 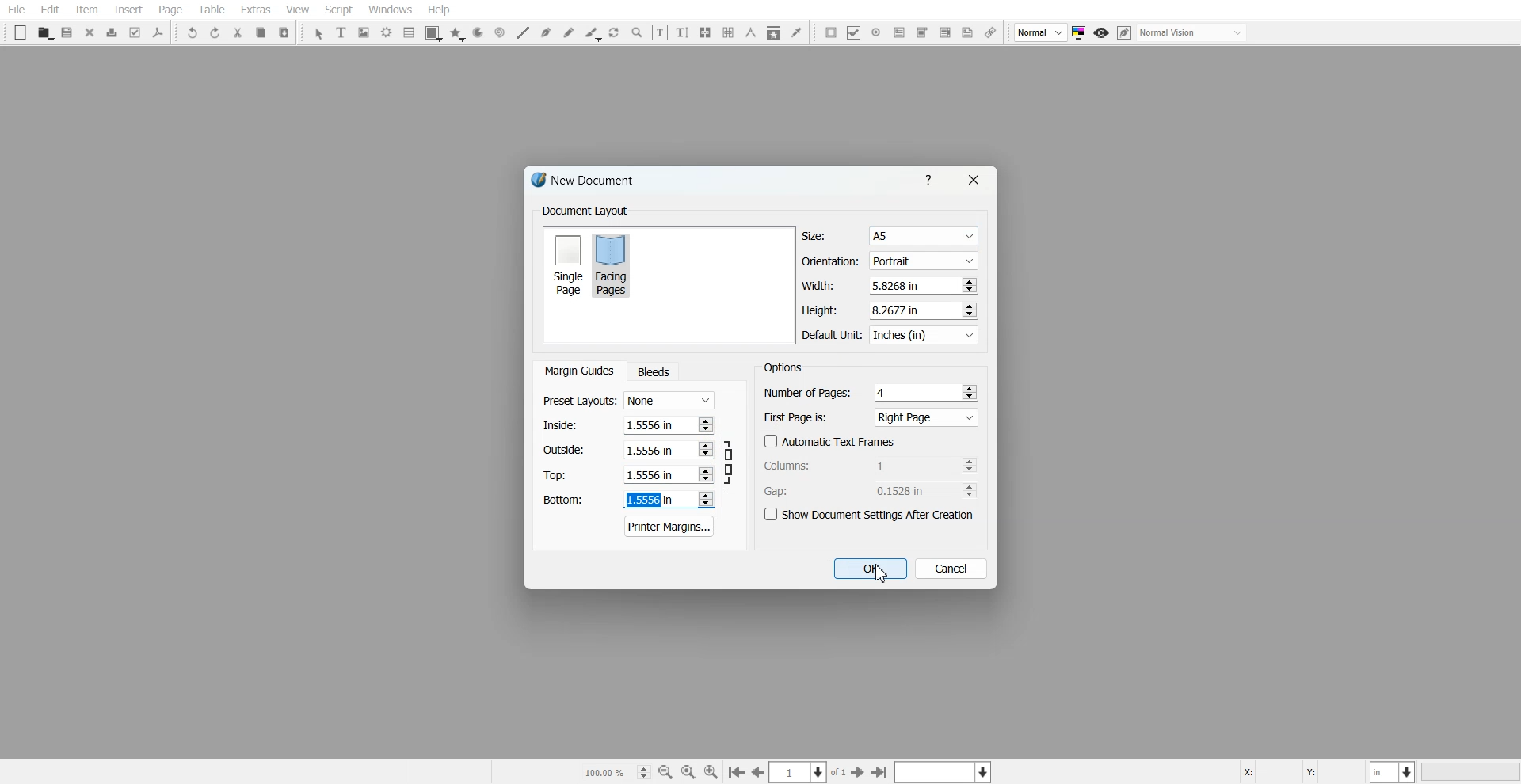 I want to click on Select current zoom, so click(x=616, y=771).